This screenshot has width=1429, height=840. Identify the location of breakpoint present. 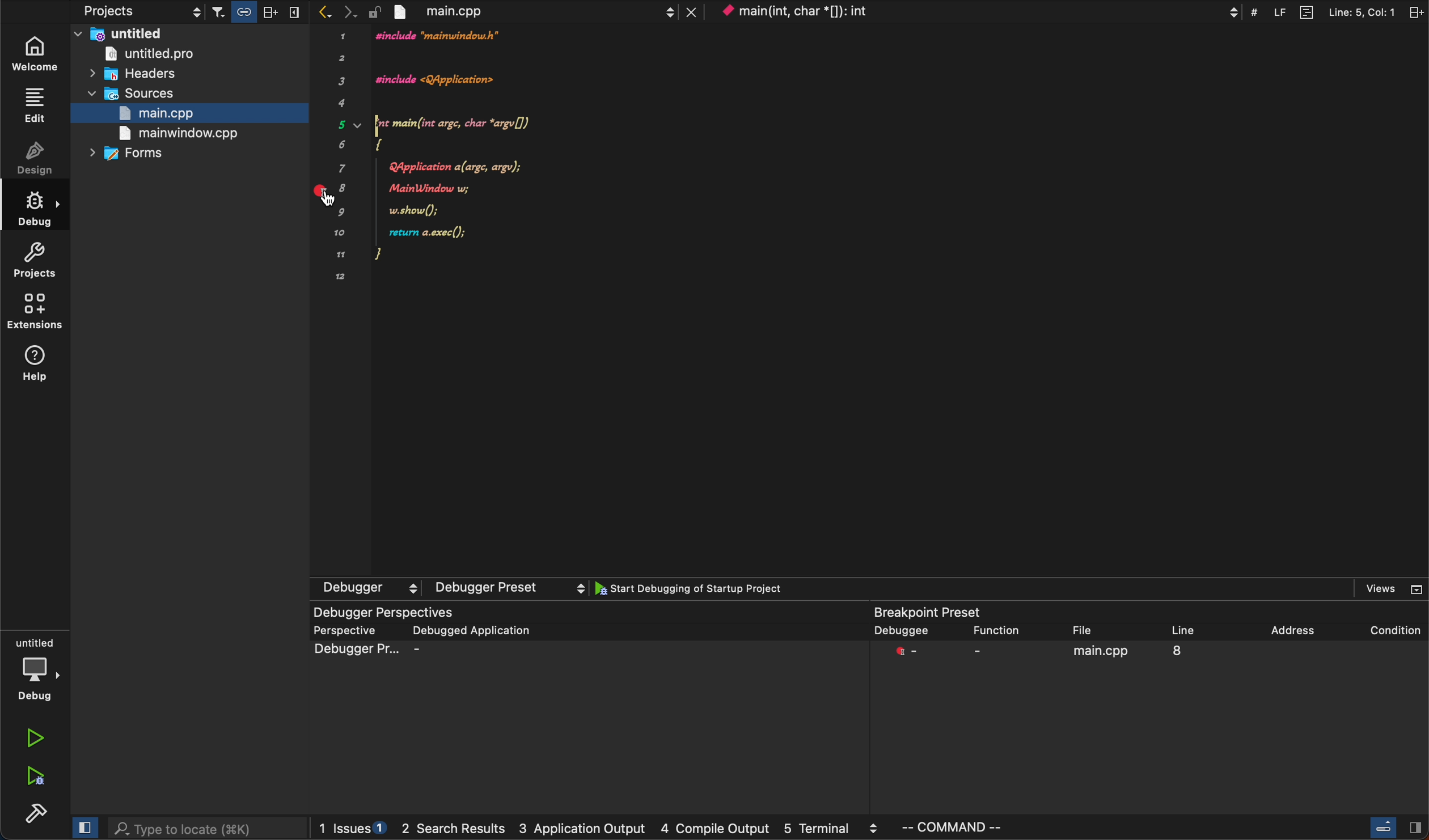
(930, 613).